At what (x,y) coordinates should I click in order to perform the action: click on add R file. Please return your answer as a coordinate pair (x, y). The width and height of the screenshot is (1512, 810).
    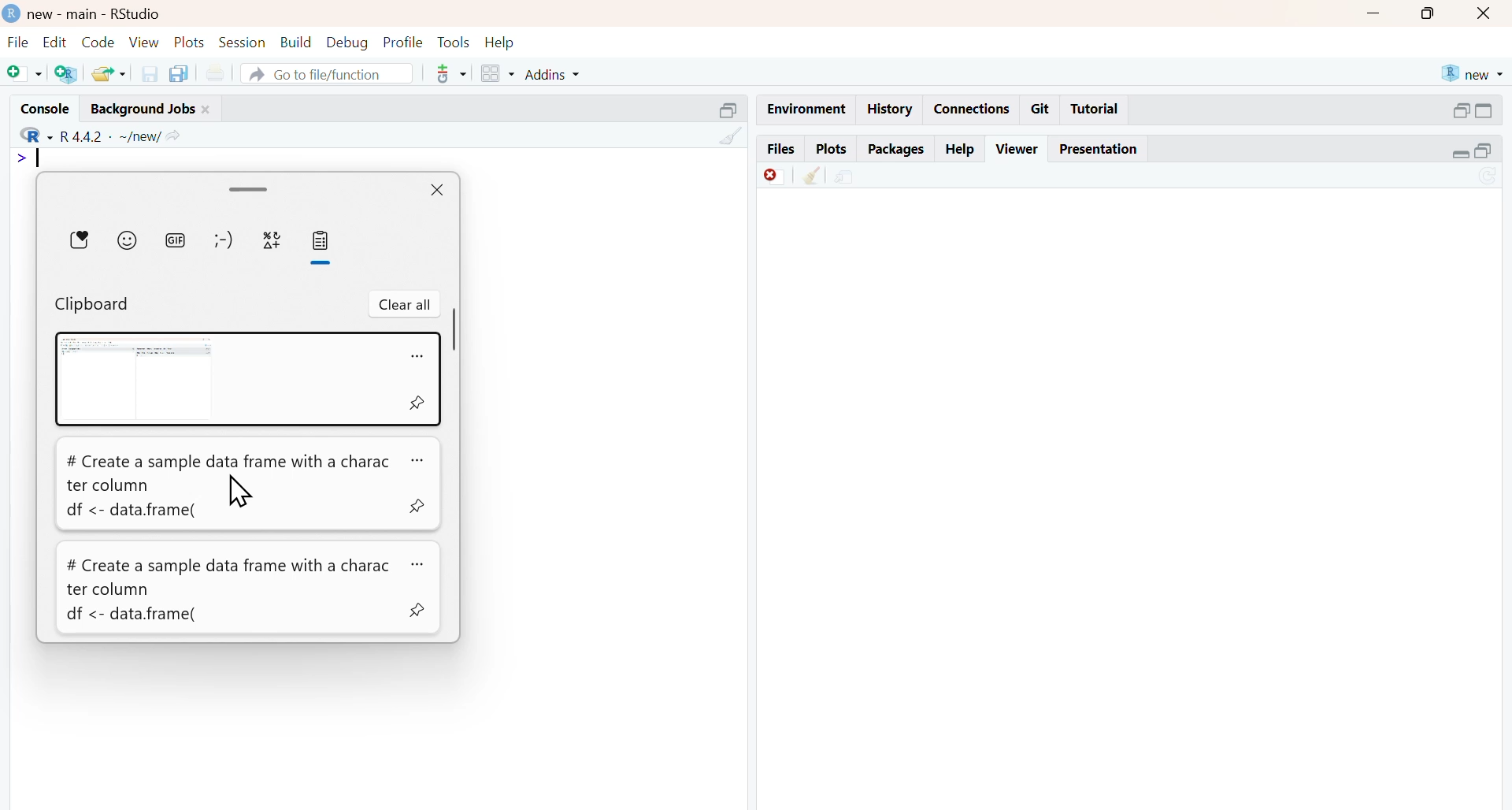
    Looking at the image, I should click on (66, 74).